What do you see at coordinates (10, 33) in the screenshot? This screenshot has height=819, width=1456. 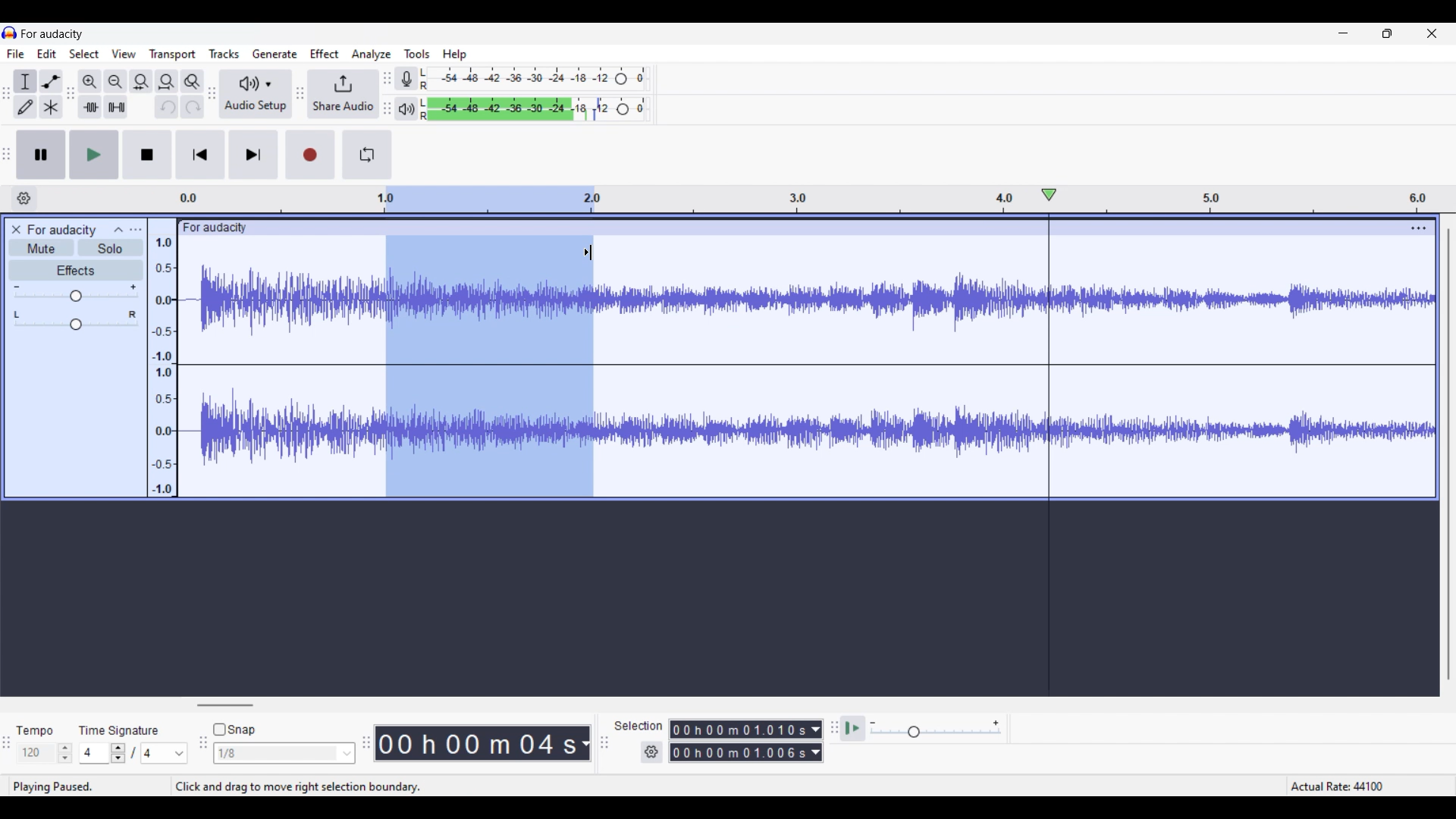 I see `Software logo` at bounding box center [10, 33].